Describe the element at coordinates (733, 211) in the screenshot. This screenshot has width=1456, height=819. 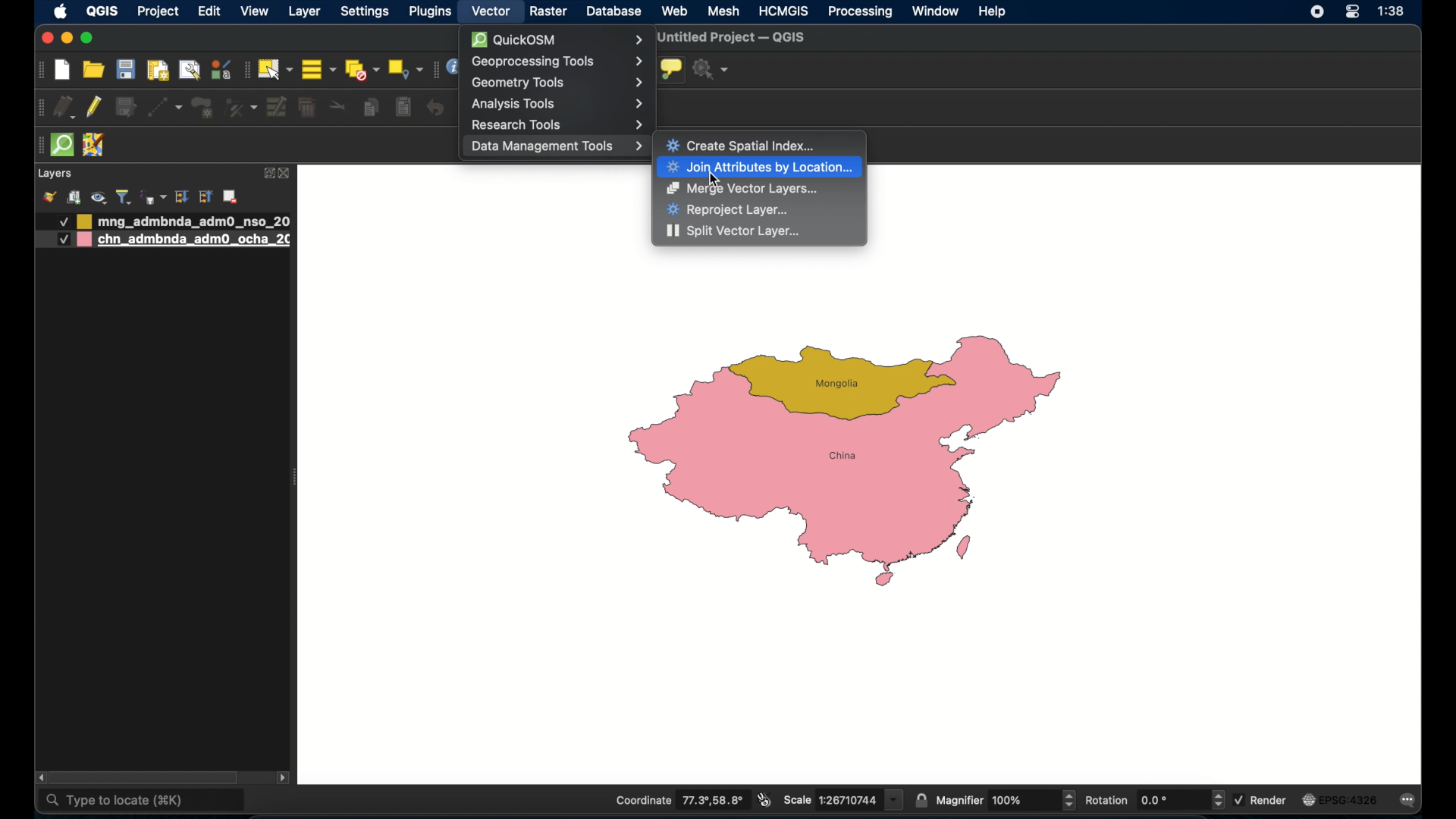
I see `Reproject Layer...` at that location.